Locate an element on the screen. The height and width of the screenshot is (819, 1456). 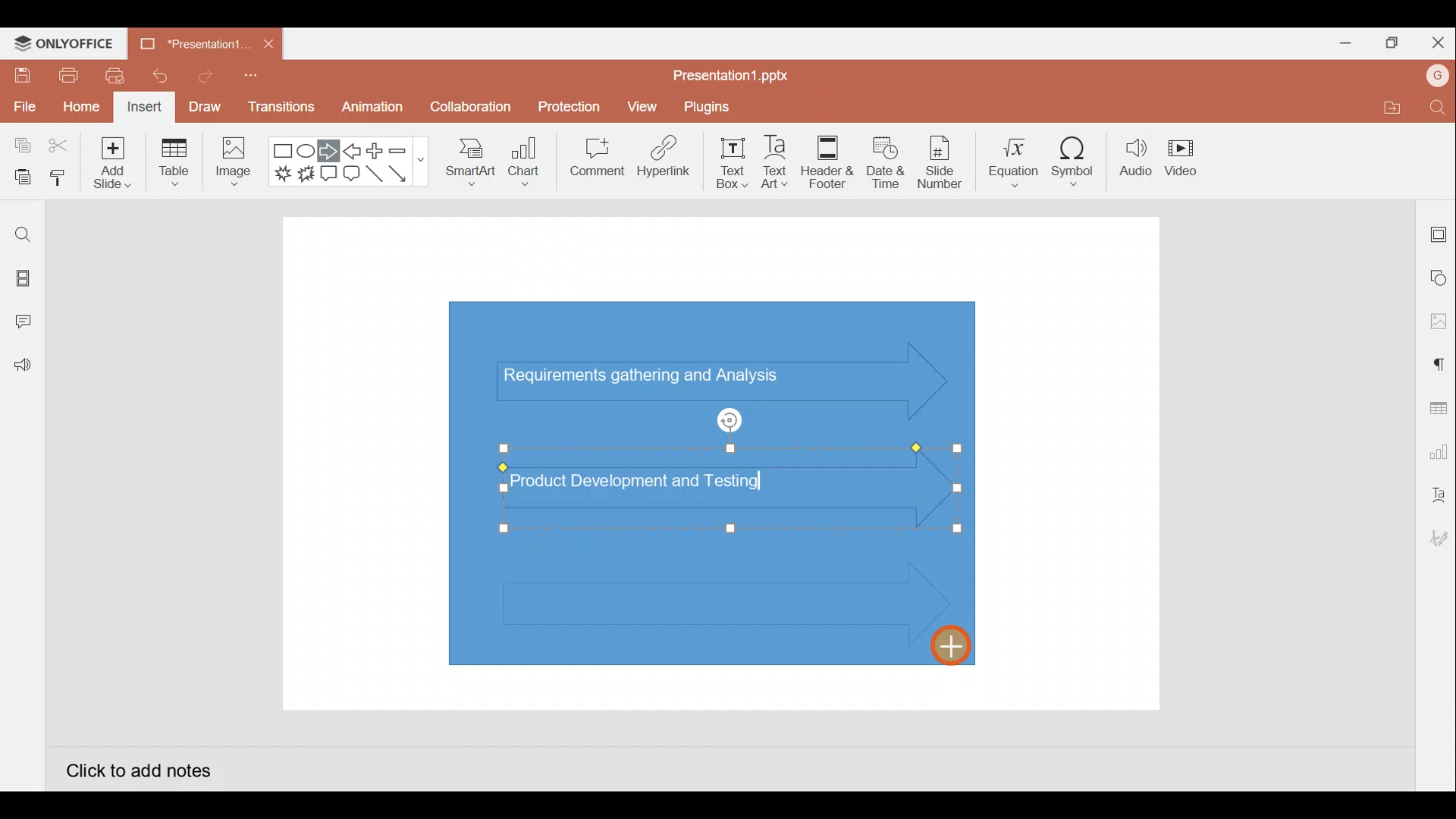
Paste is located at coordinates (19, 178).